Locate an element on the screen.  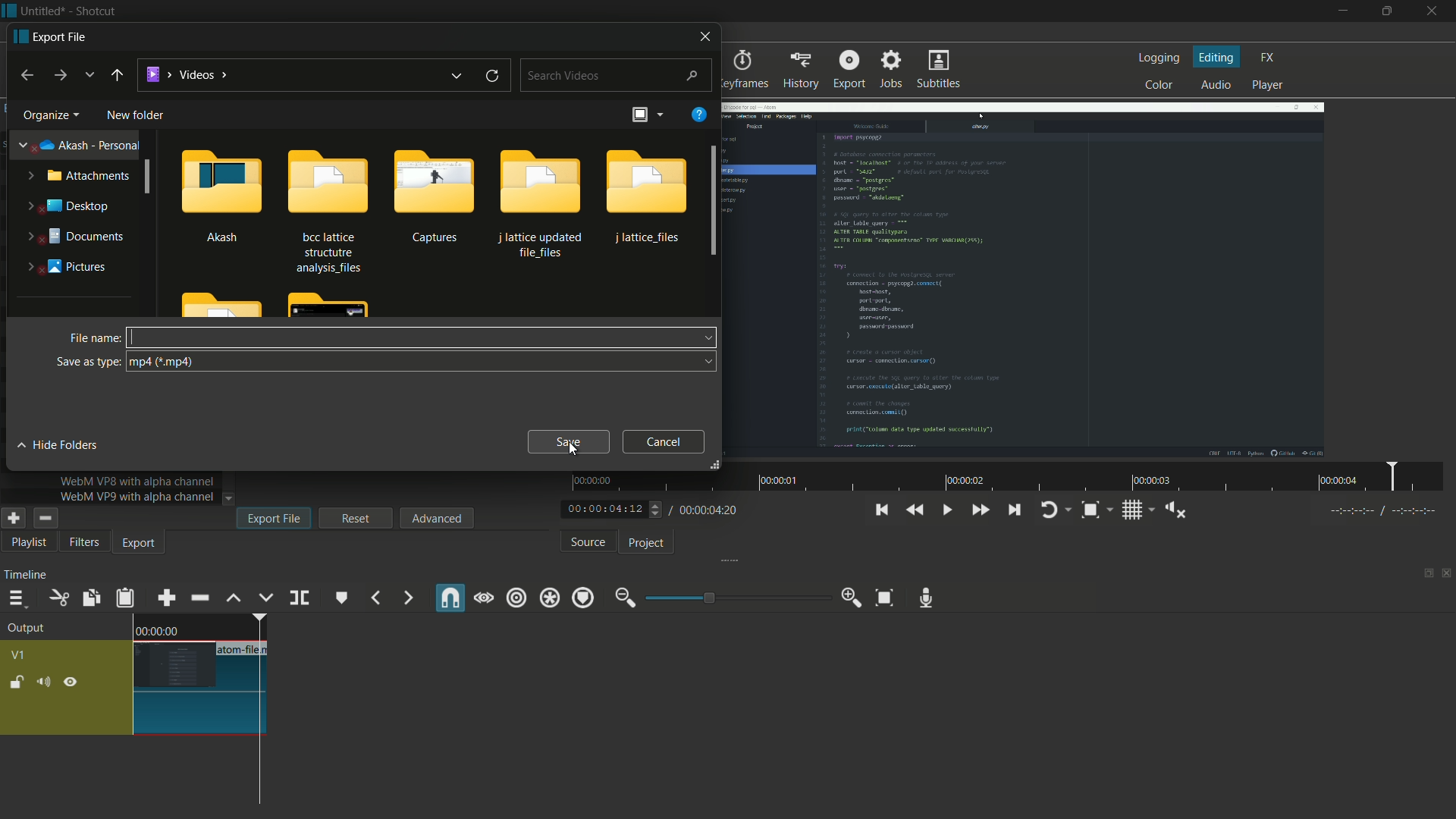
logging is located at coordinates (1158, 58).